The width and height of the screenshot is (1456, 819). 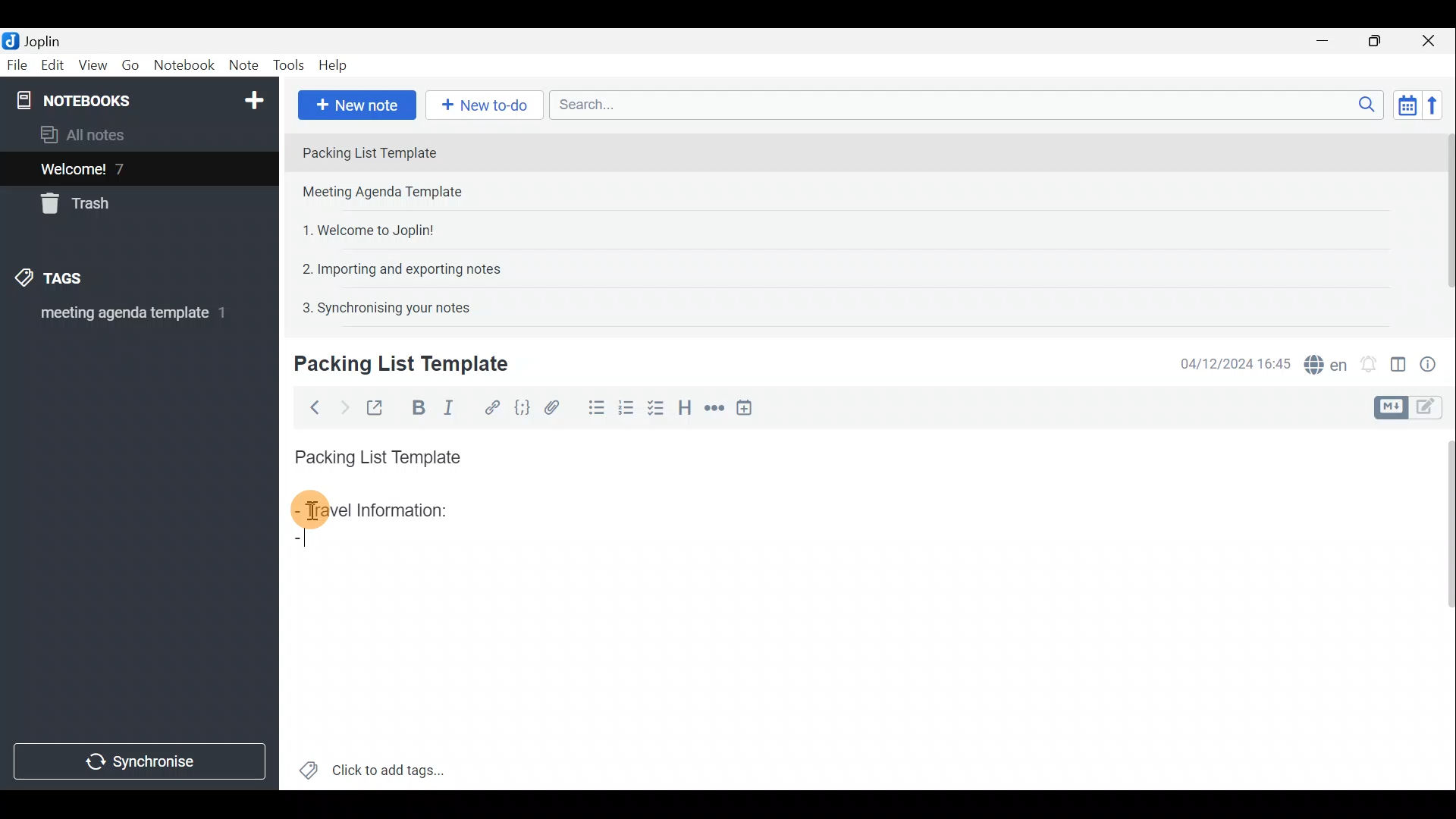 What do you see at coordinates (522, 406) in the screenshot?
I see `Code` at bounding box center [522, 406].